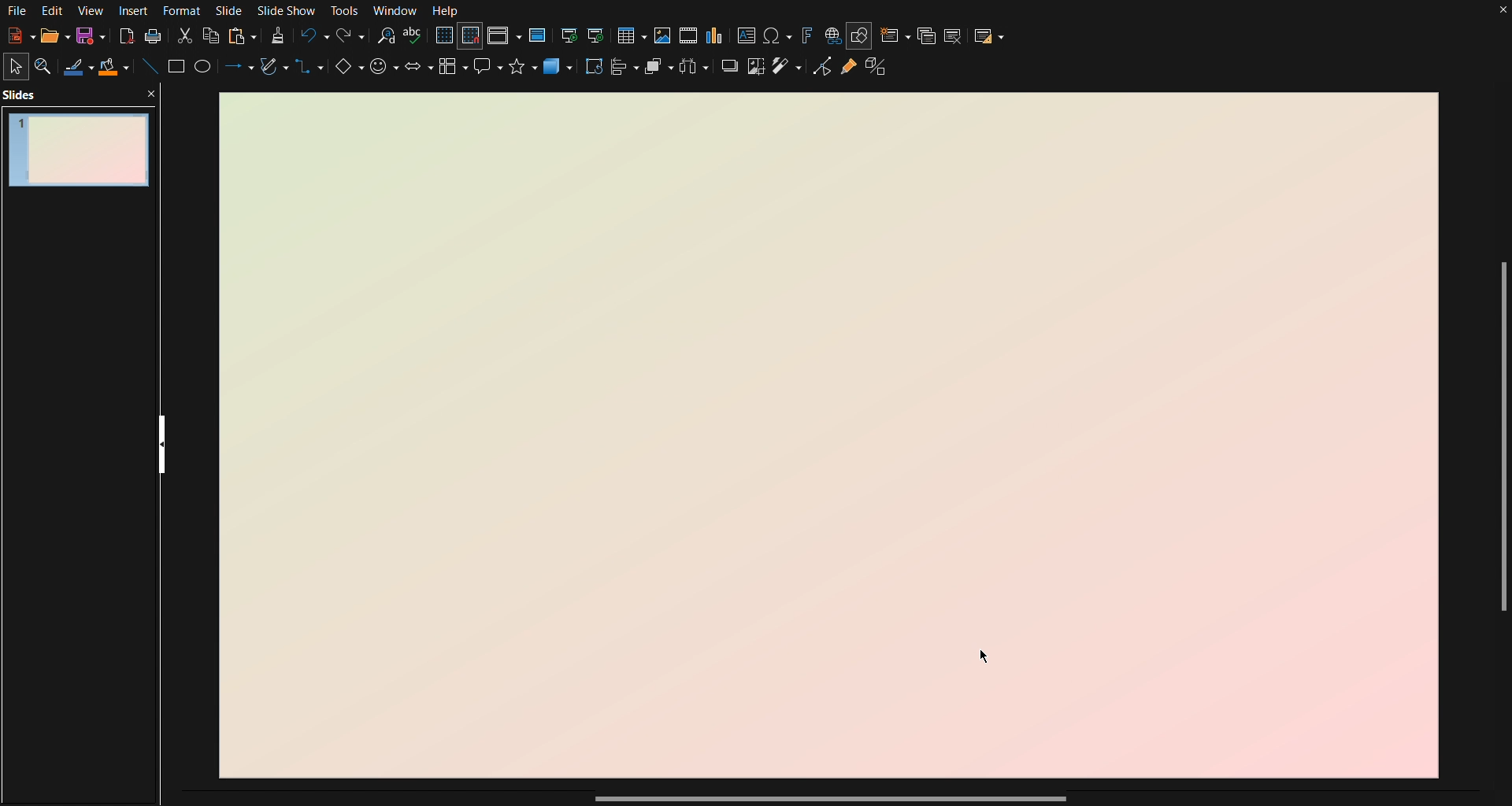  I want to click on Edit, so click(53, 11).